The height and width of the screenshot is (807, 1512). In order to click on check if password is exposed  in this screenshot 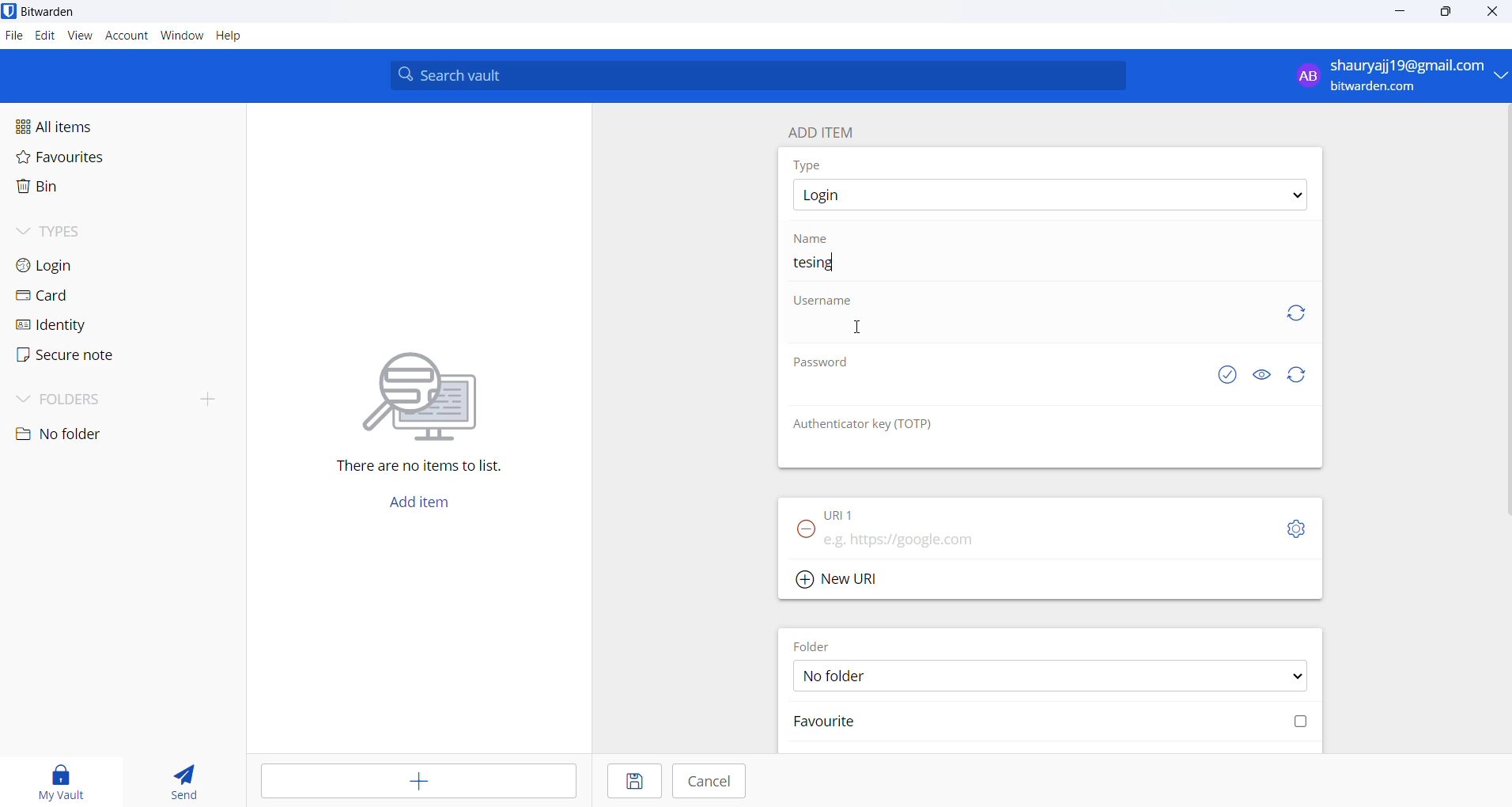, I will do `click(1227, 375)`.